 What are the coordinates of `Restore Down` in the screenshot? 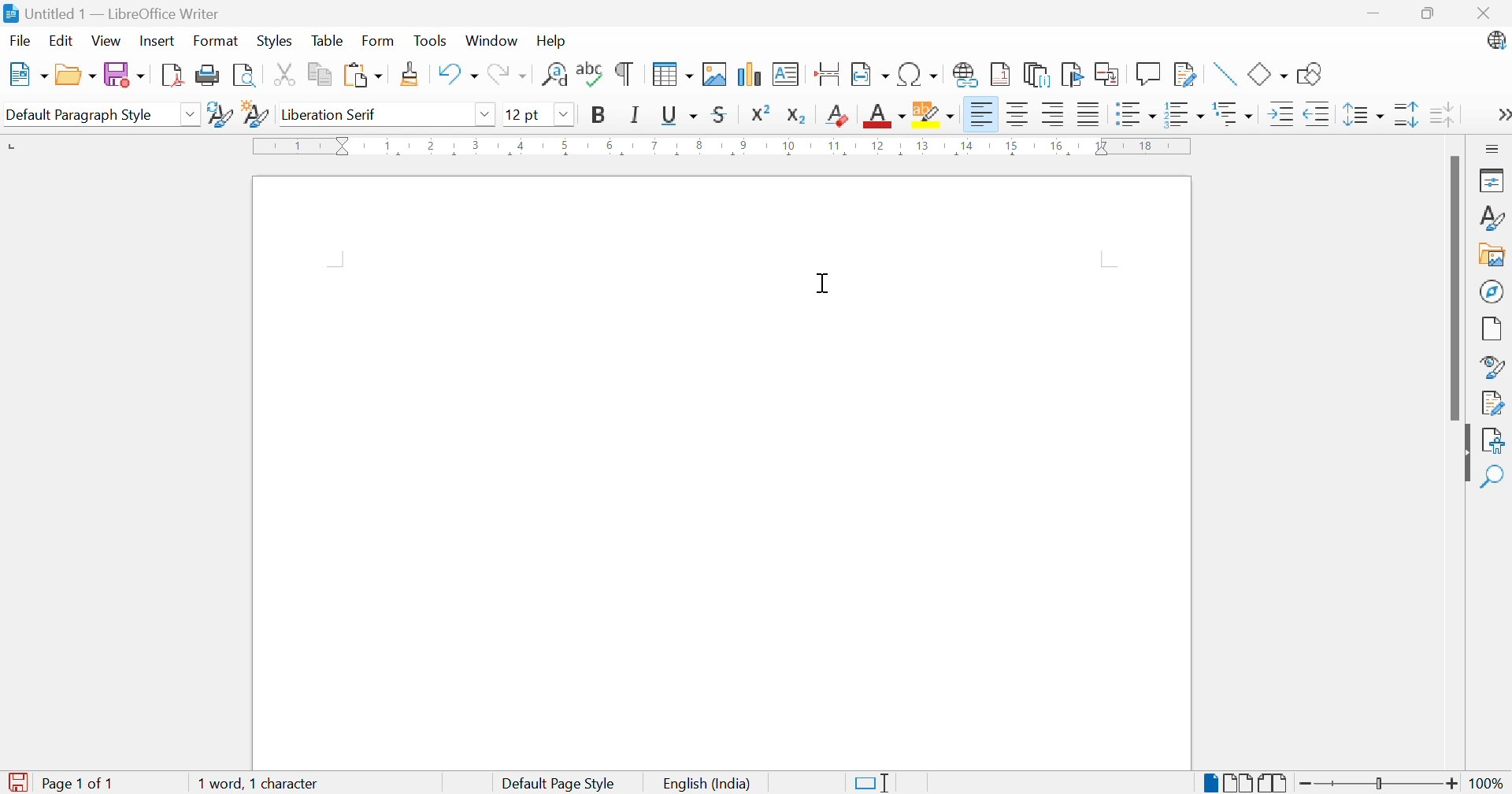 It's located at (1429, 11).